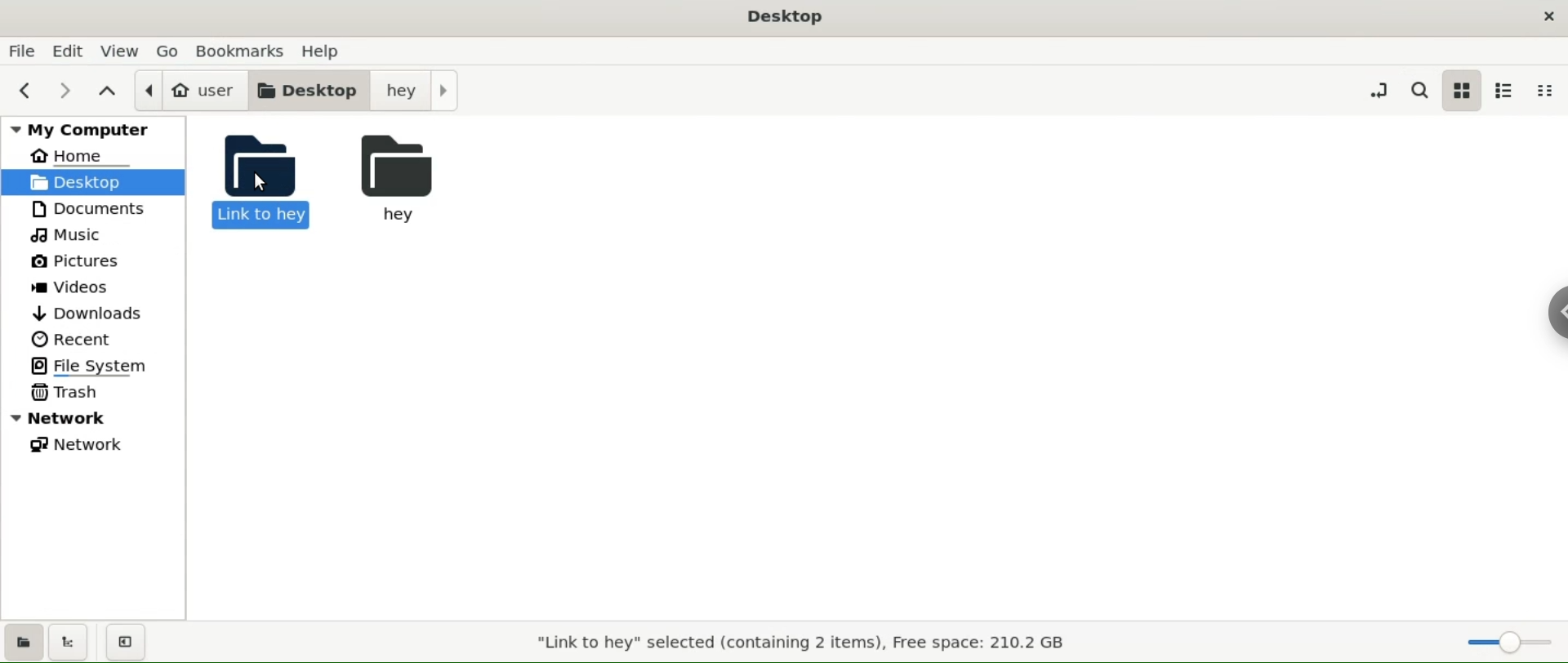 Image resolution: width=1568 pixels, height=663 pixels. Describe the element at coordinates (1555, 313) in the screenshot. I see `Chrome options` at that location.